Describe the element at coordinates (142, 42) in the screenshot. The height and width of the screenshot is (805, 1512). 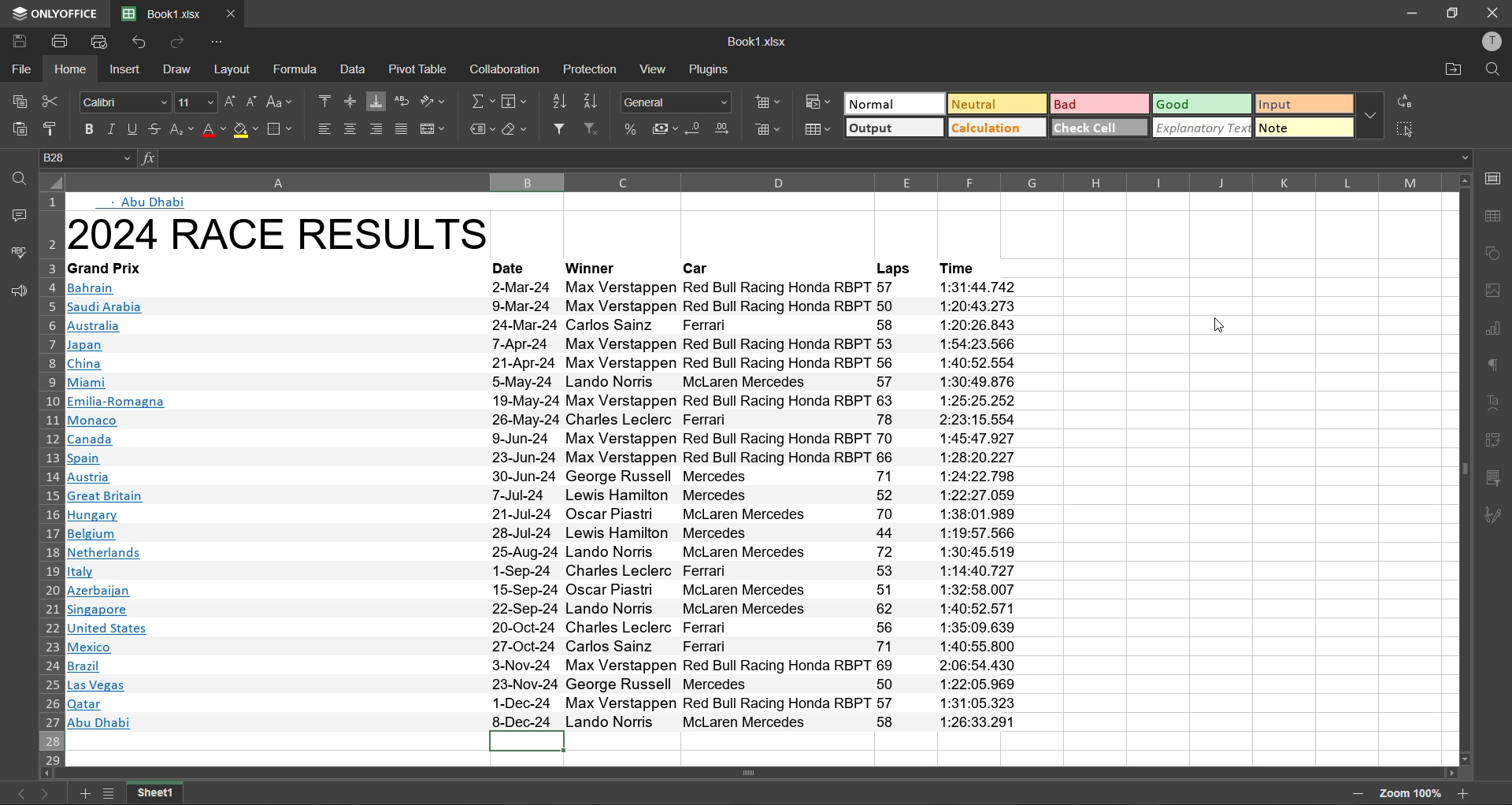
I see `undo` at that location.